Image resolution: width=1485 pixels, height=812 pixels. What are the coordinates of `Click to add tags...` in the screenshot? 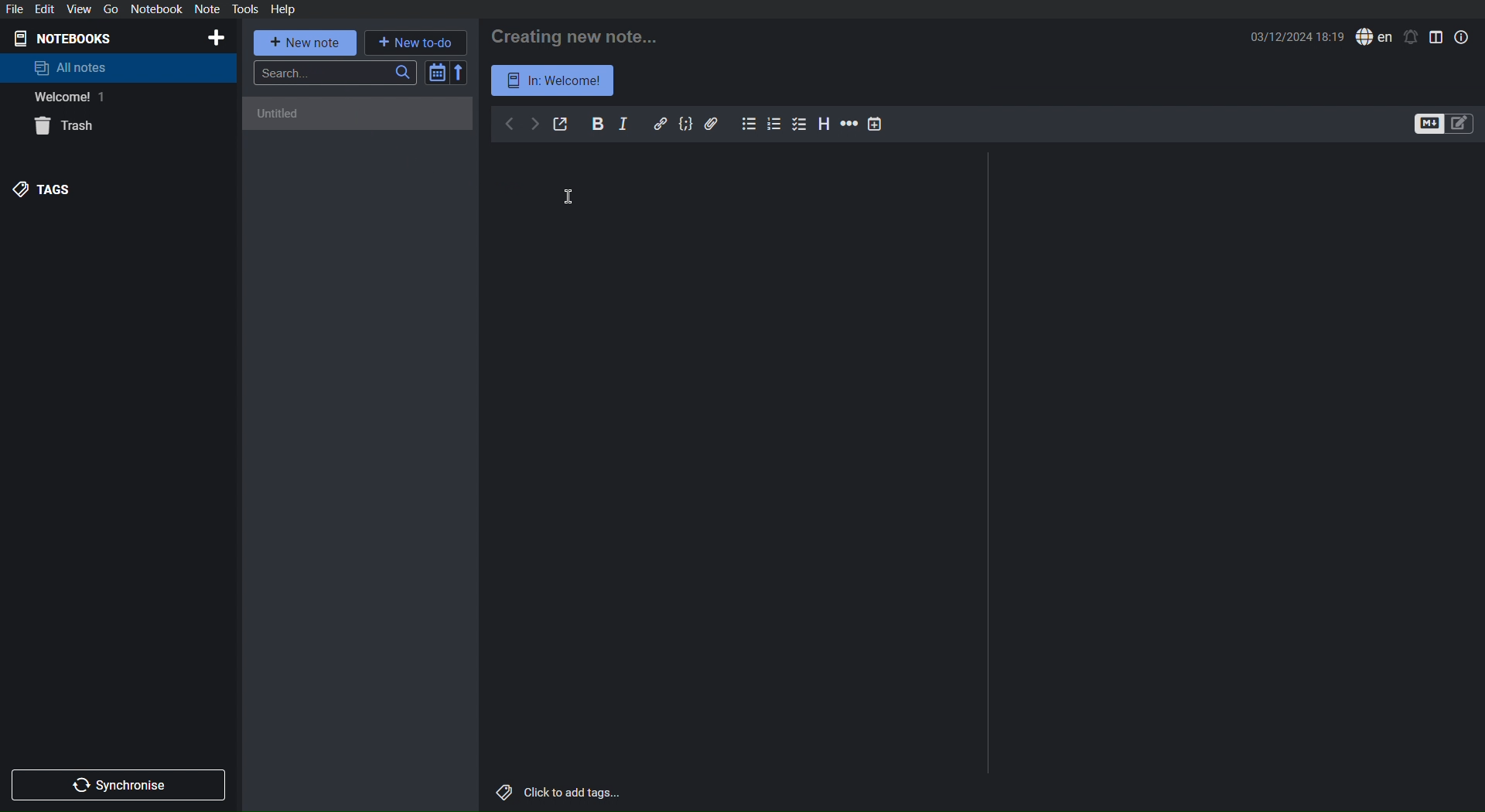 It's located at (556, 793).